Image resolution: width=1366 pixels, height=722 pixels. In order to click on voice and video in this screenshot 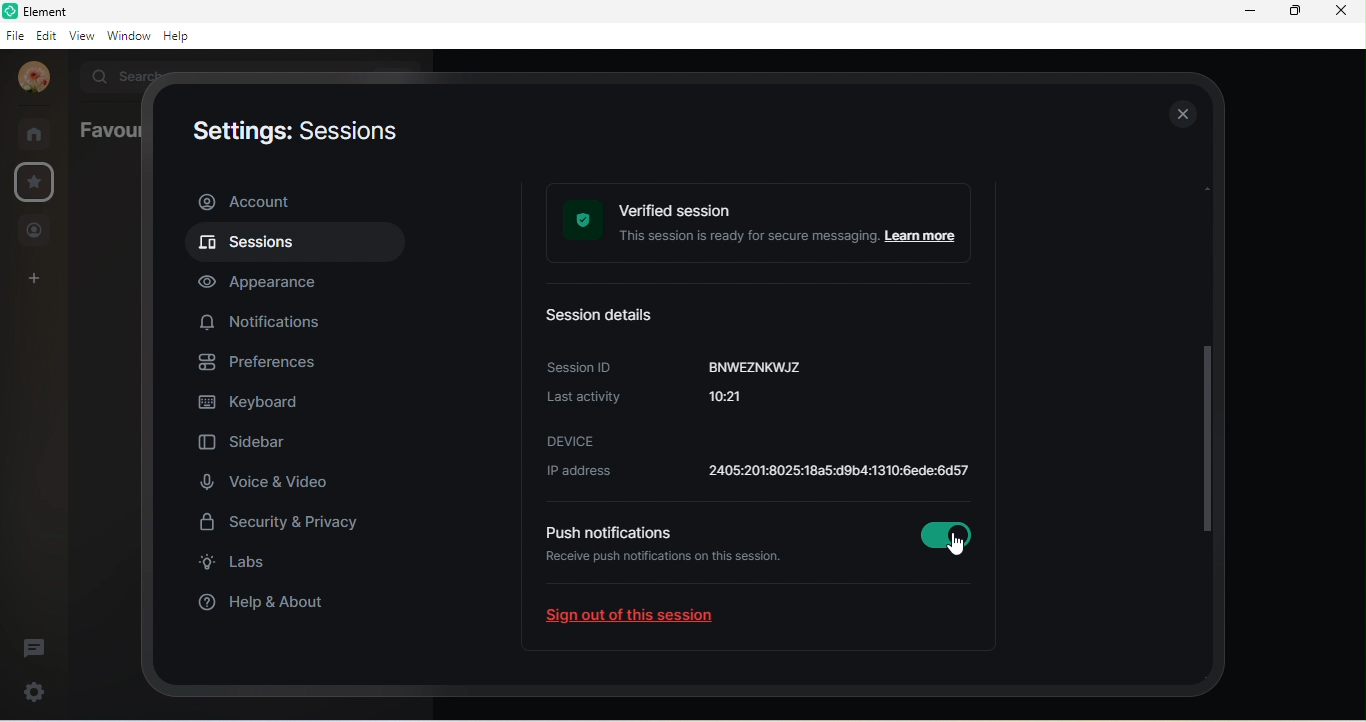, I will do `click(265, 481)`.